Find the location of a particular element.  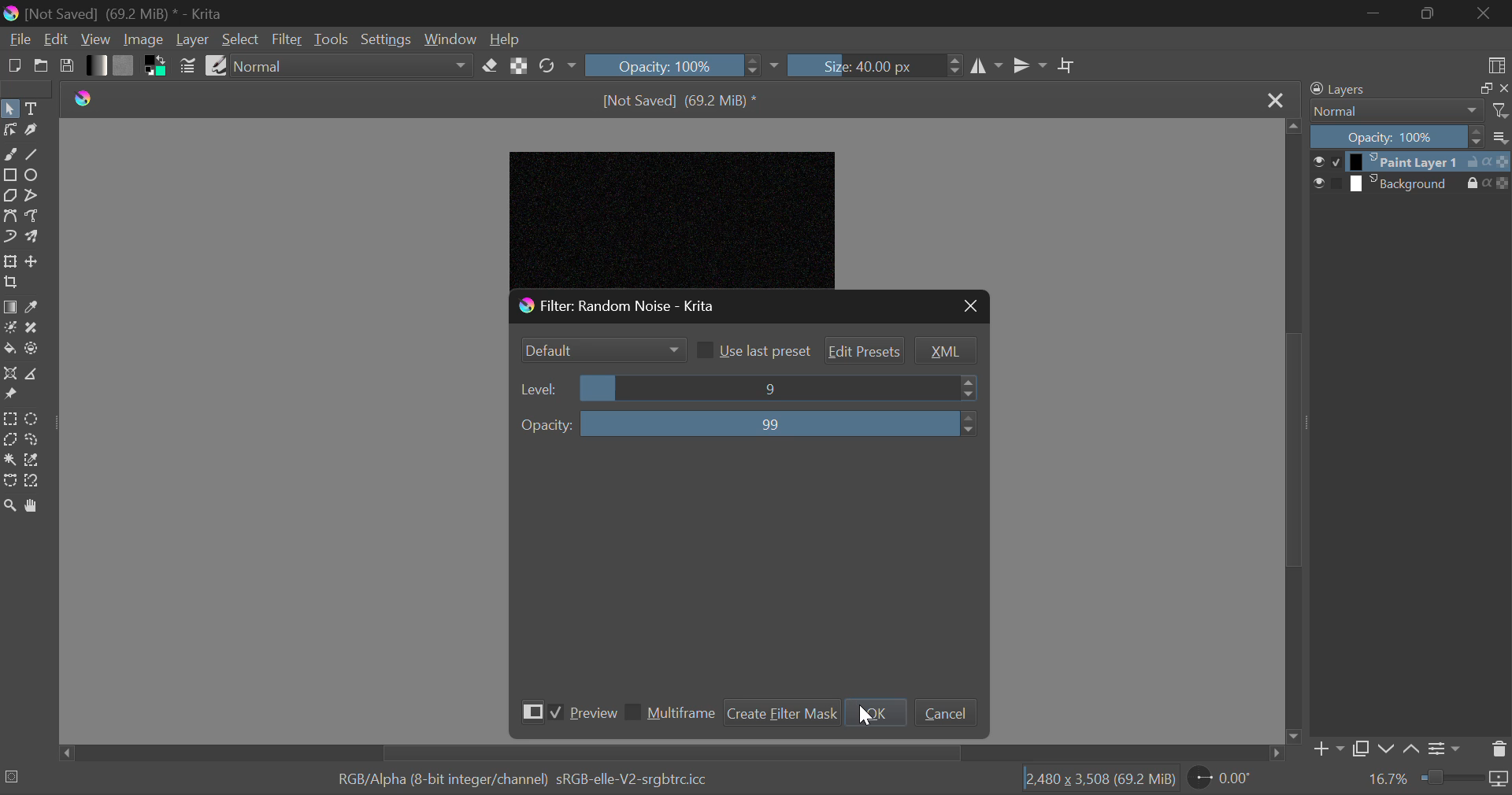

Polyline is located at coordinates (34, 195).